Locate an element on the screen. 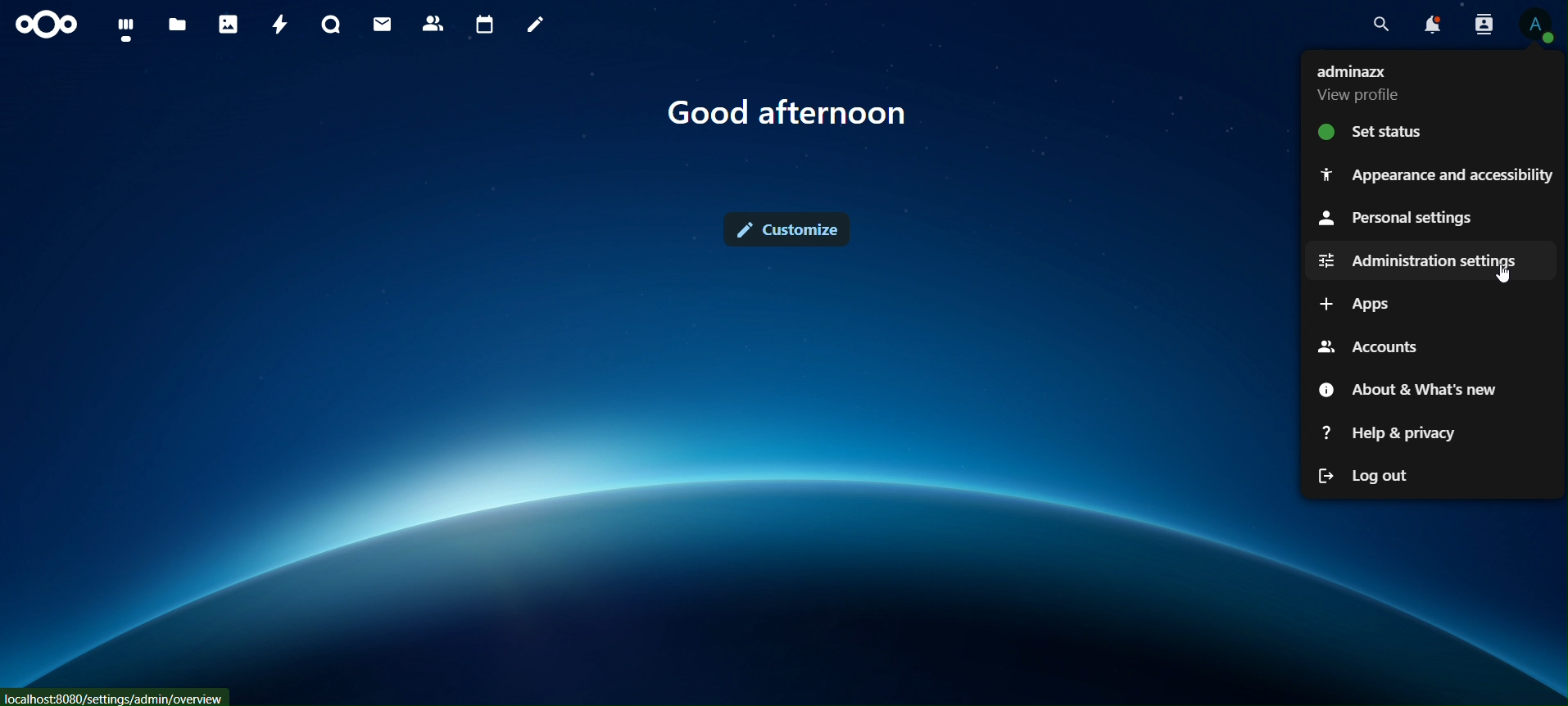 The height and width of the screenshot is (706, 1568). View Profile is located at coordinates (1537, 25).